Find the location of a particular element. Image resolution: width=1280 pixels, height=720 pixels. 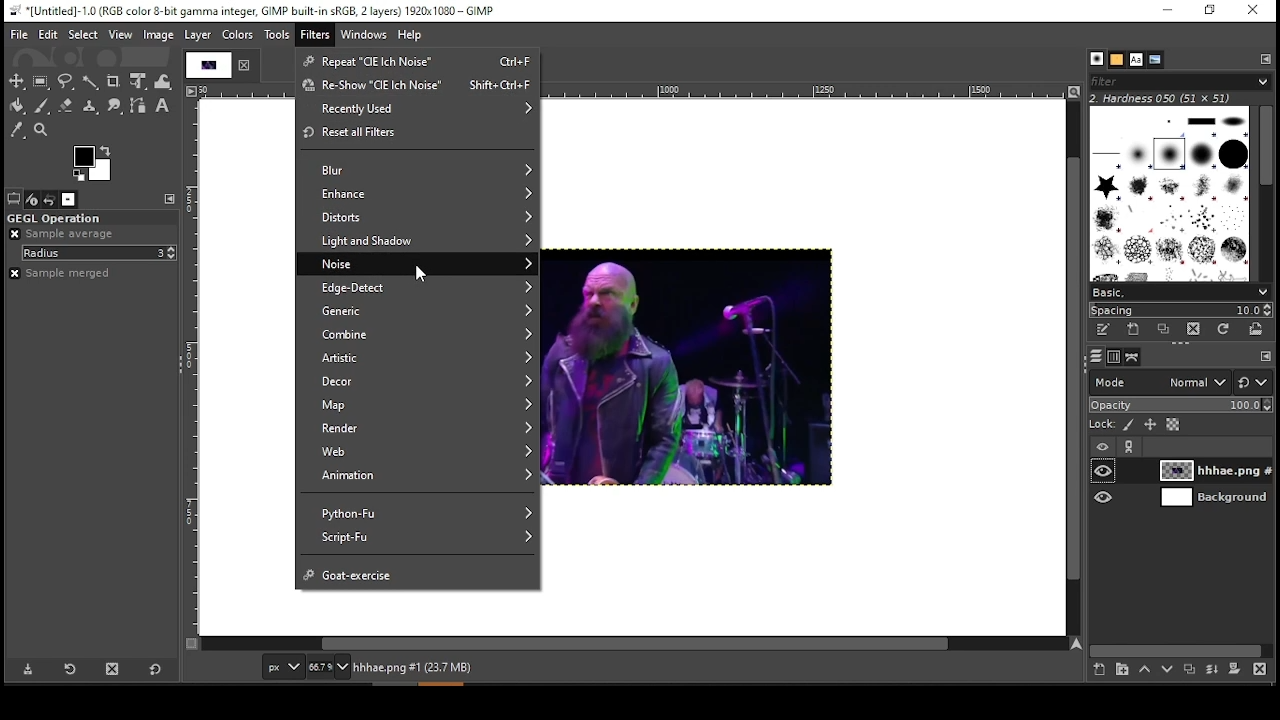

close window is located at coordinates (1254, 11).